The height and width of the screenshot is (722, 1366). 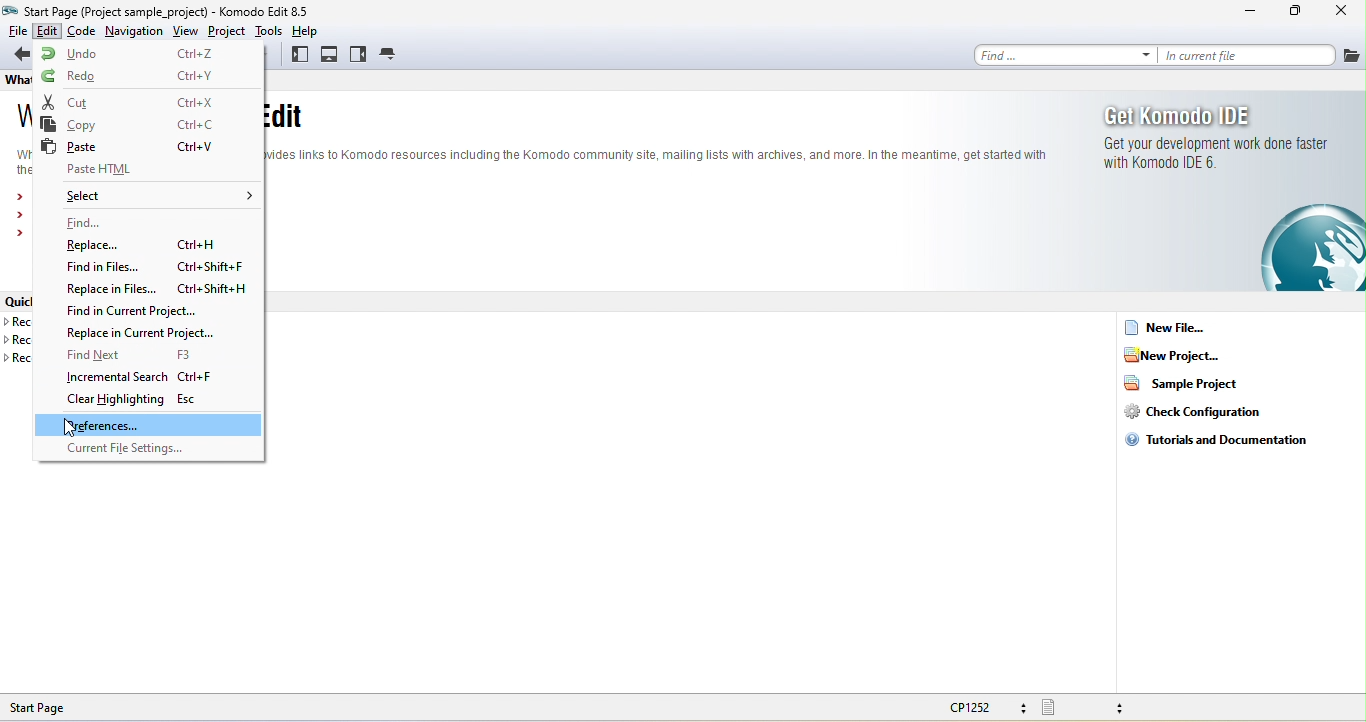 What do you see at coordinates (150, 309) in the screenshot?
I see `find in current project` at bounding box center [150, 309].